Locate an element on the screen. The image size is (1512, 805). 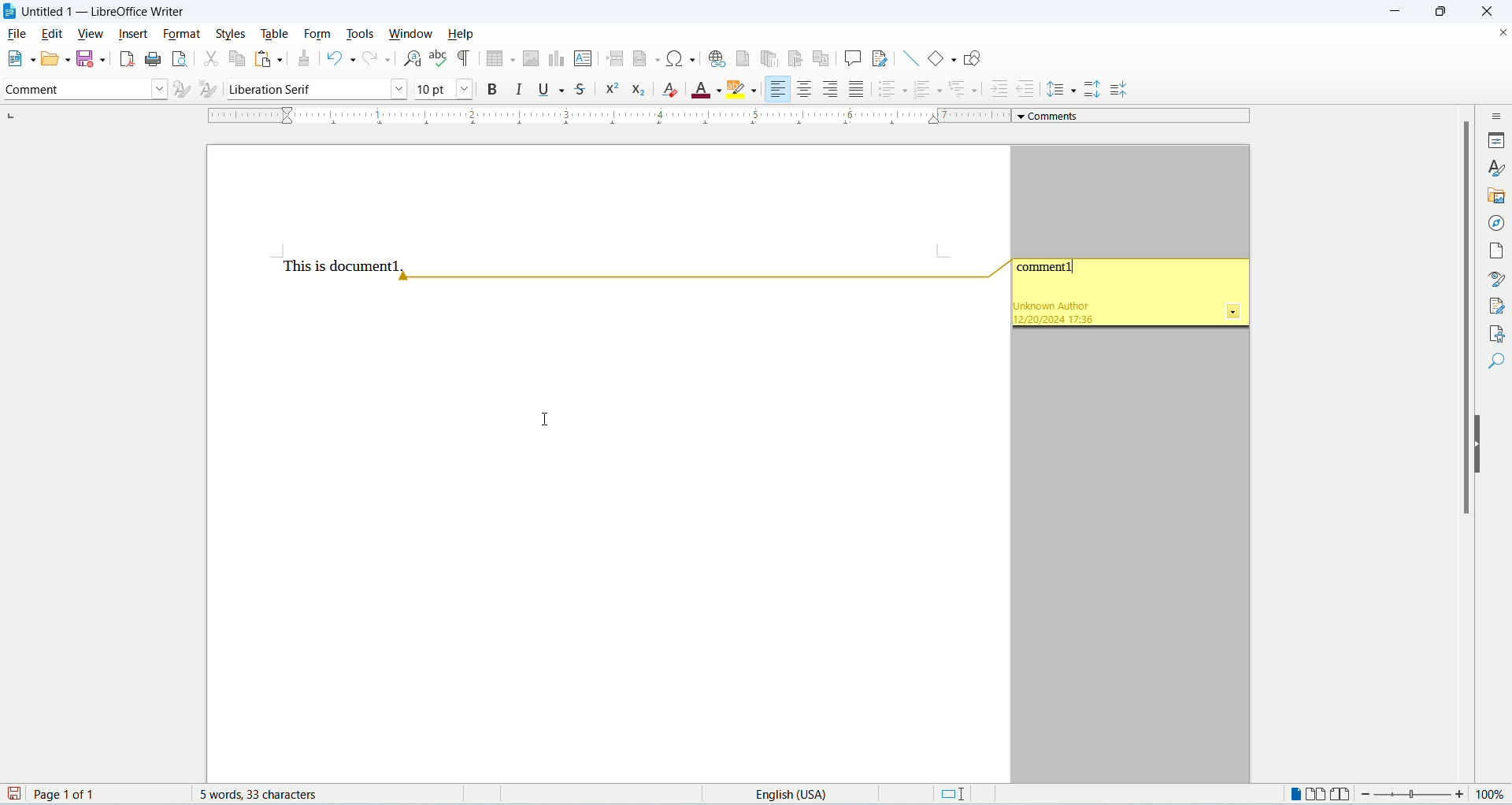
paragraph style is located at coordinates (83, 91).